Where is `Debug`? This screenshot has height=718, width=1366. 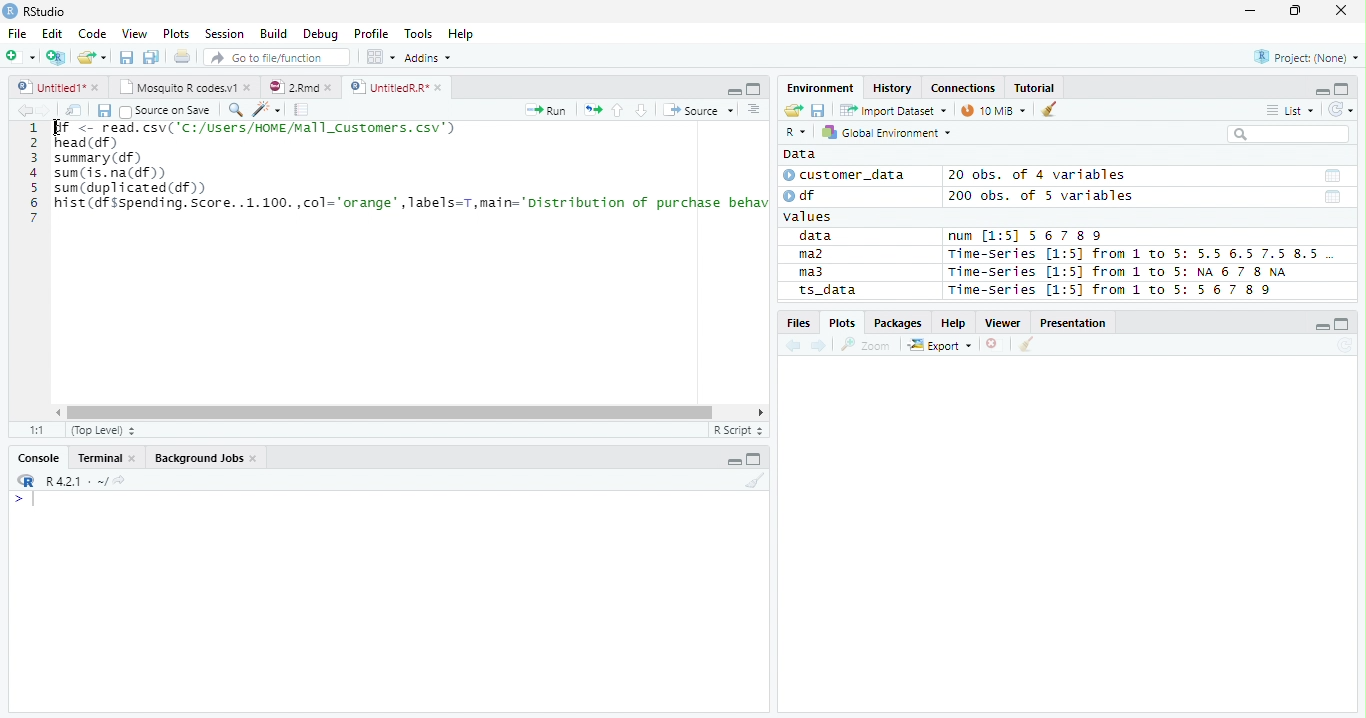 Debug is located at coordinates (321, 35).